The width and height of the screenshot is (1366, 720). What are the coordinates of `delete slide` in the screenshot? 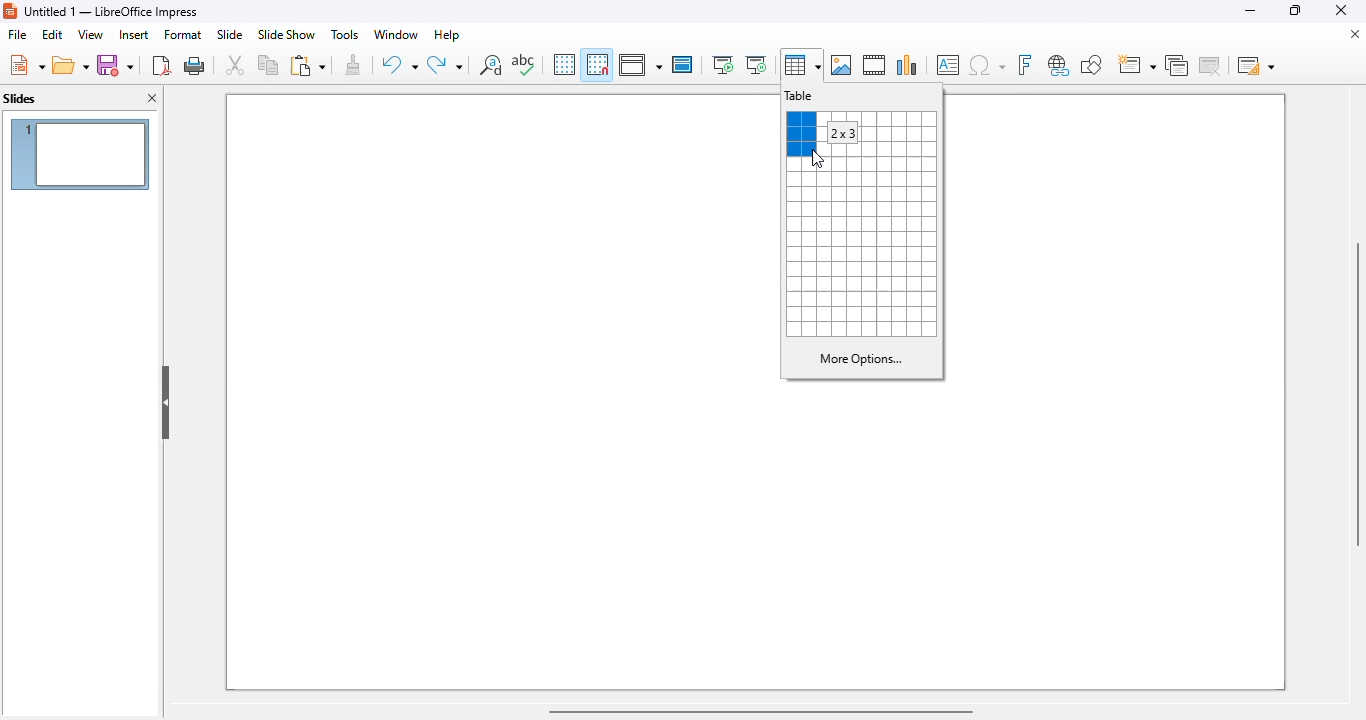 It's located at (1210, 65).